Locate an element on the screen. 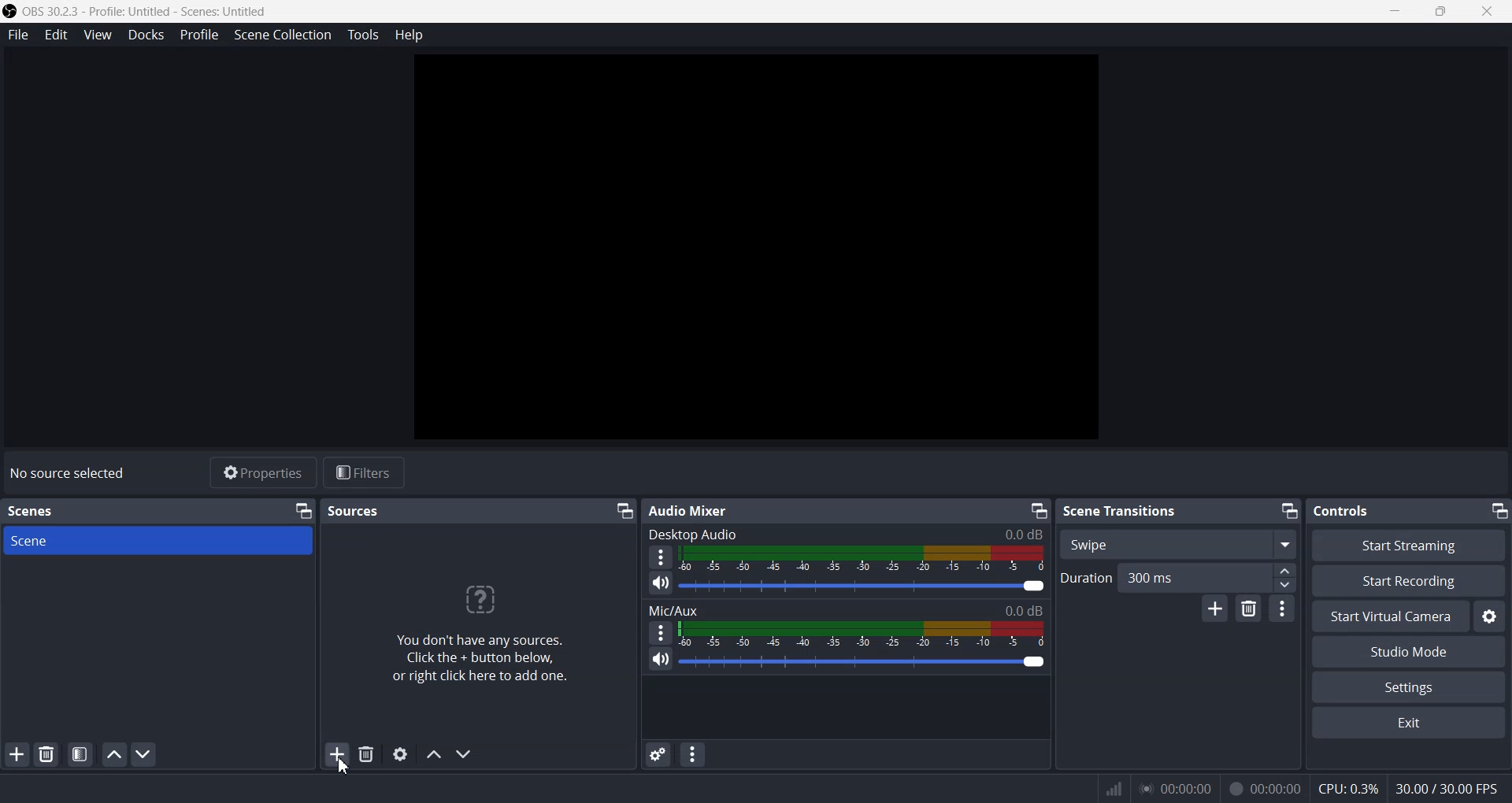  Advance Audio Properties is located at coordinates (657, 754).